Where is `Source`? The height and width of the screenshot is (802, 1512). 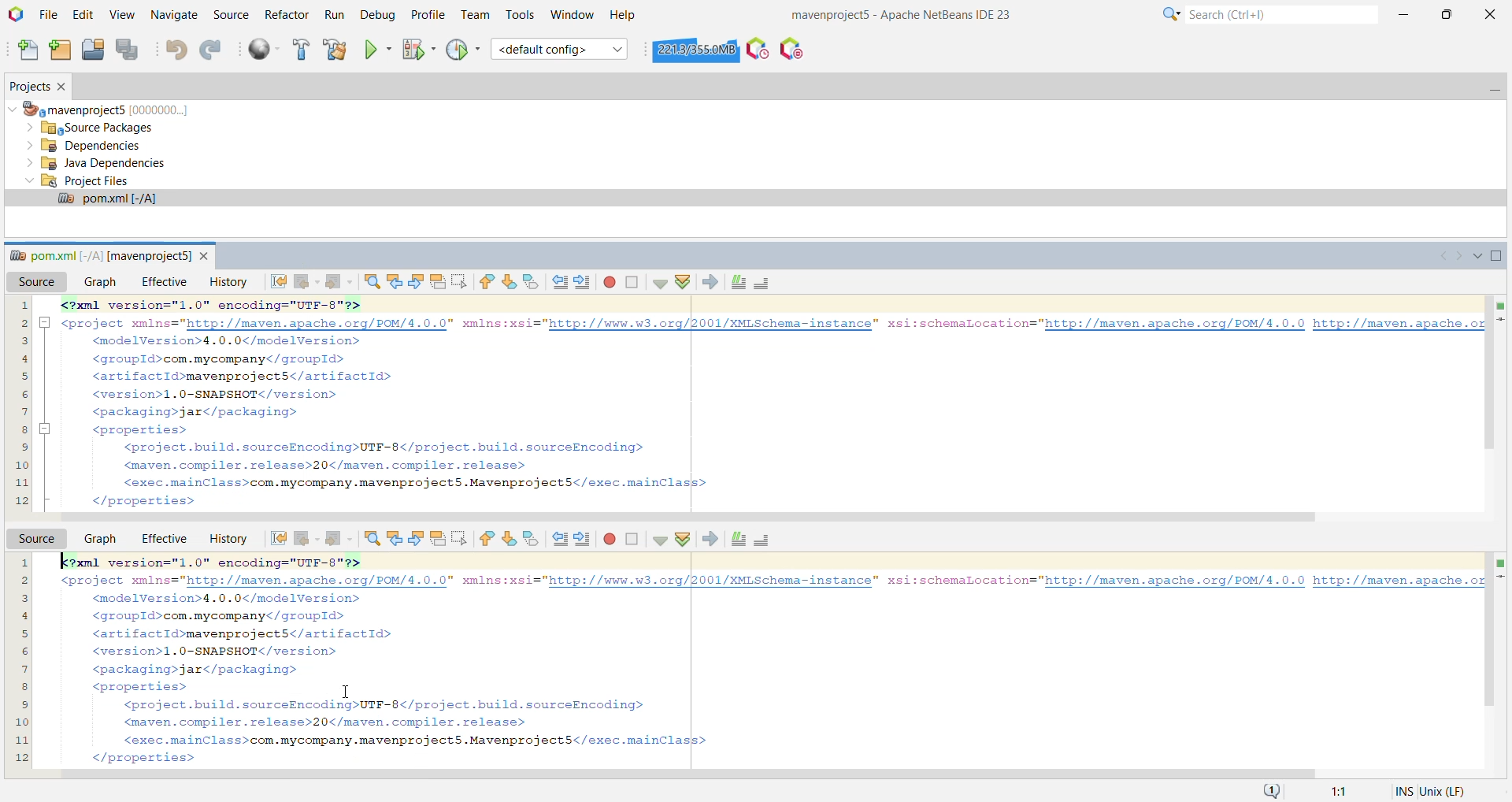
Source is located at coordinates (33, 282).